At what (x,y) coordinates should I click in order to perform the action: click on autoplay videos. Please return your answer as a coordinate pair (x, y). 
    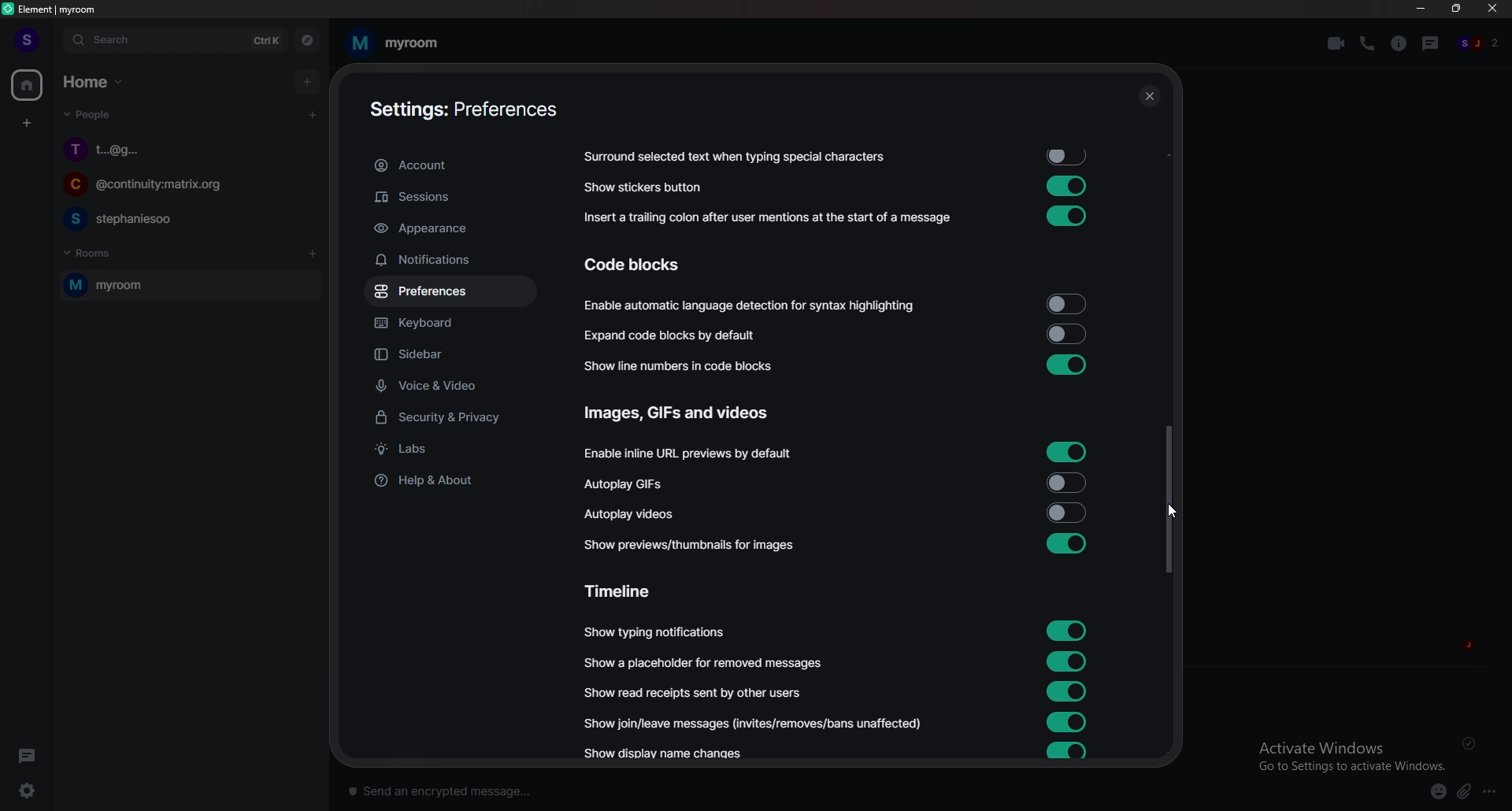
    Looking at the image, I should click on (630, 513).